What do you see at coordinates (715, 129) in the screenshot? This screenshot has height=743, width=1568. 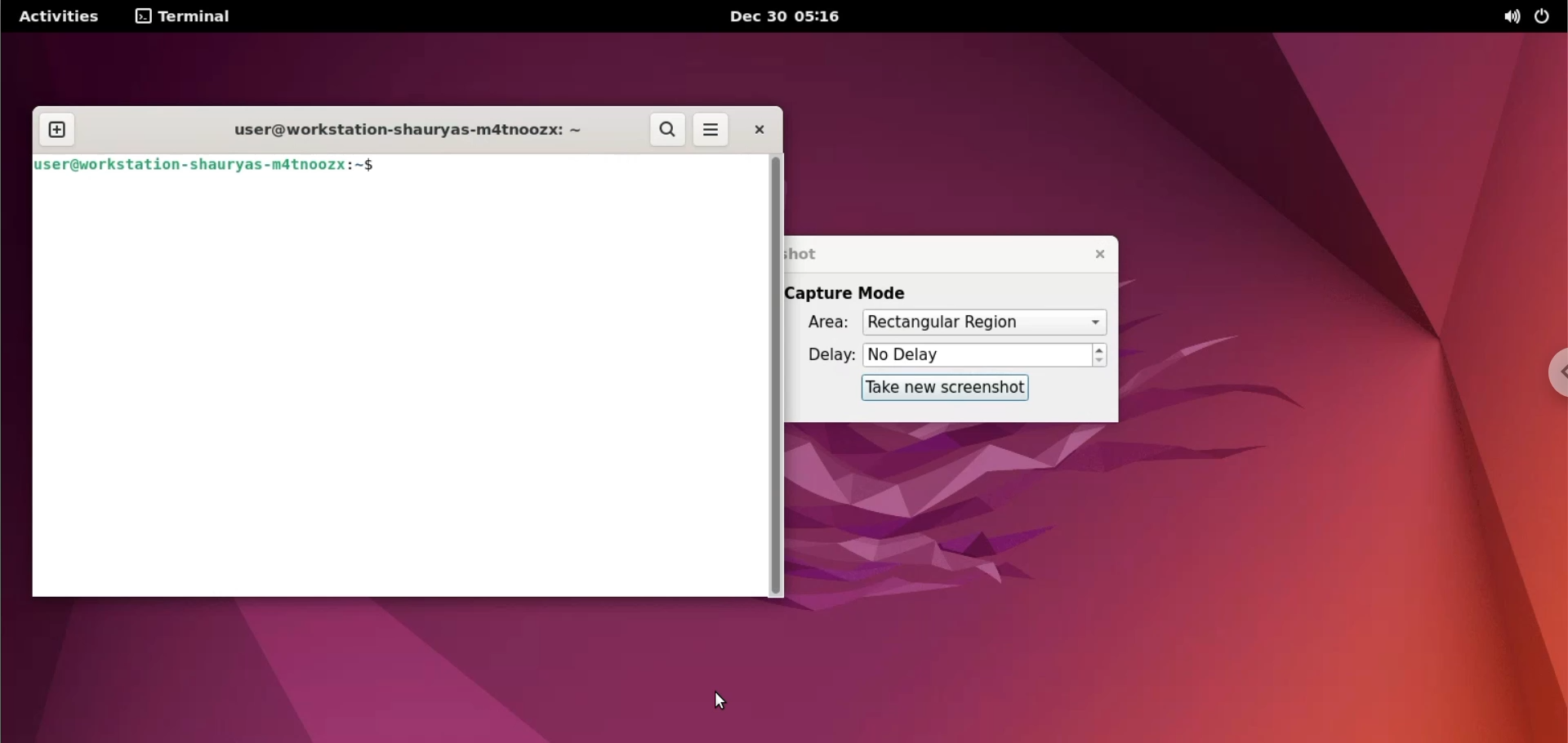 I see `menu ` at bounding box center [715, 129].